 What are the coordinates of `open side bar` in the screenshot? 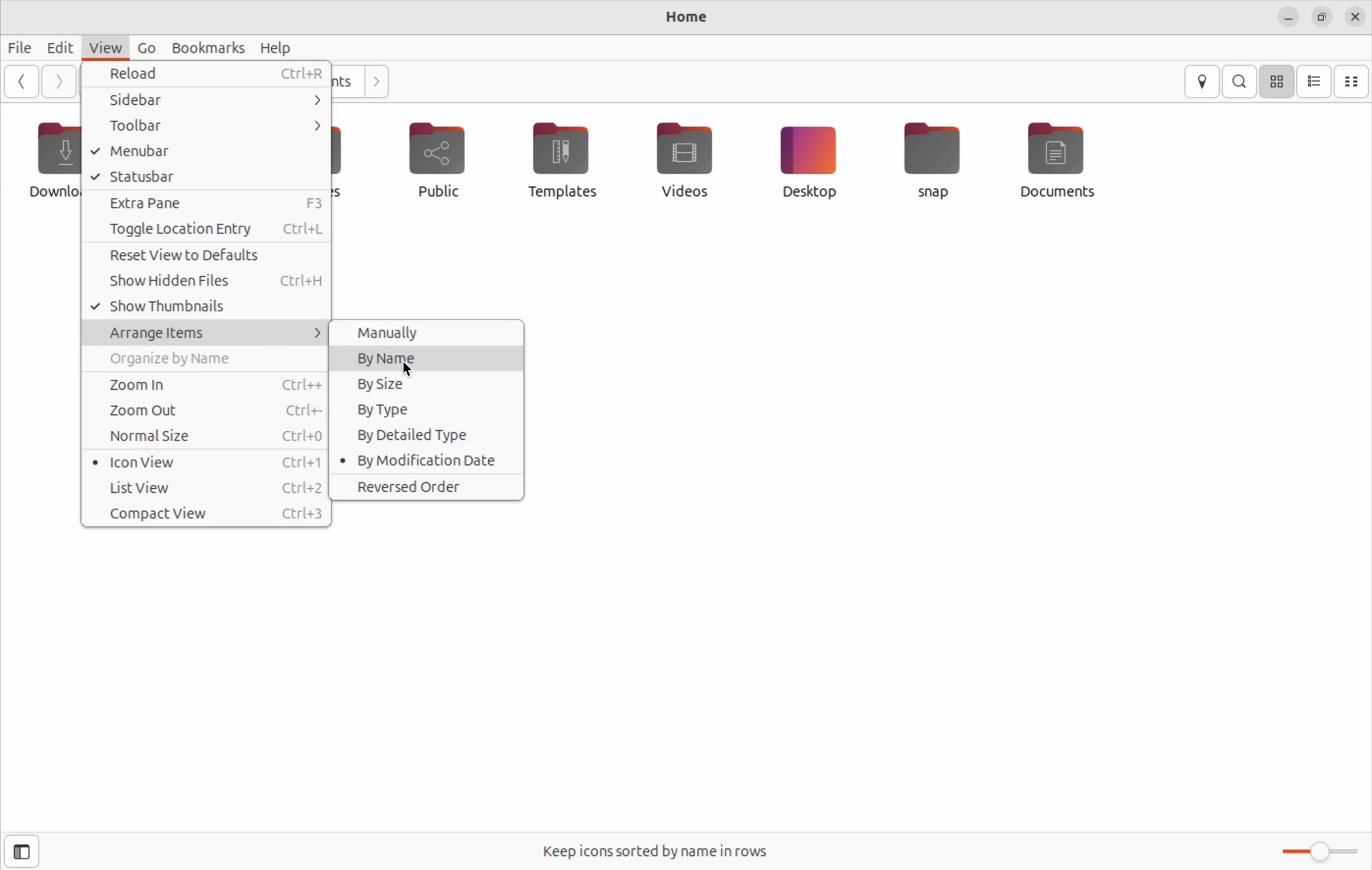 It's located at (22, 852).